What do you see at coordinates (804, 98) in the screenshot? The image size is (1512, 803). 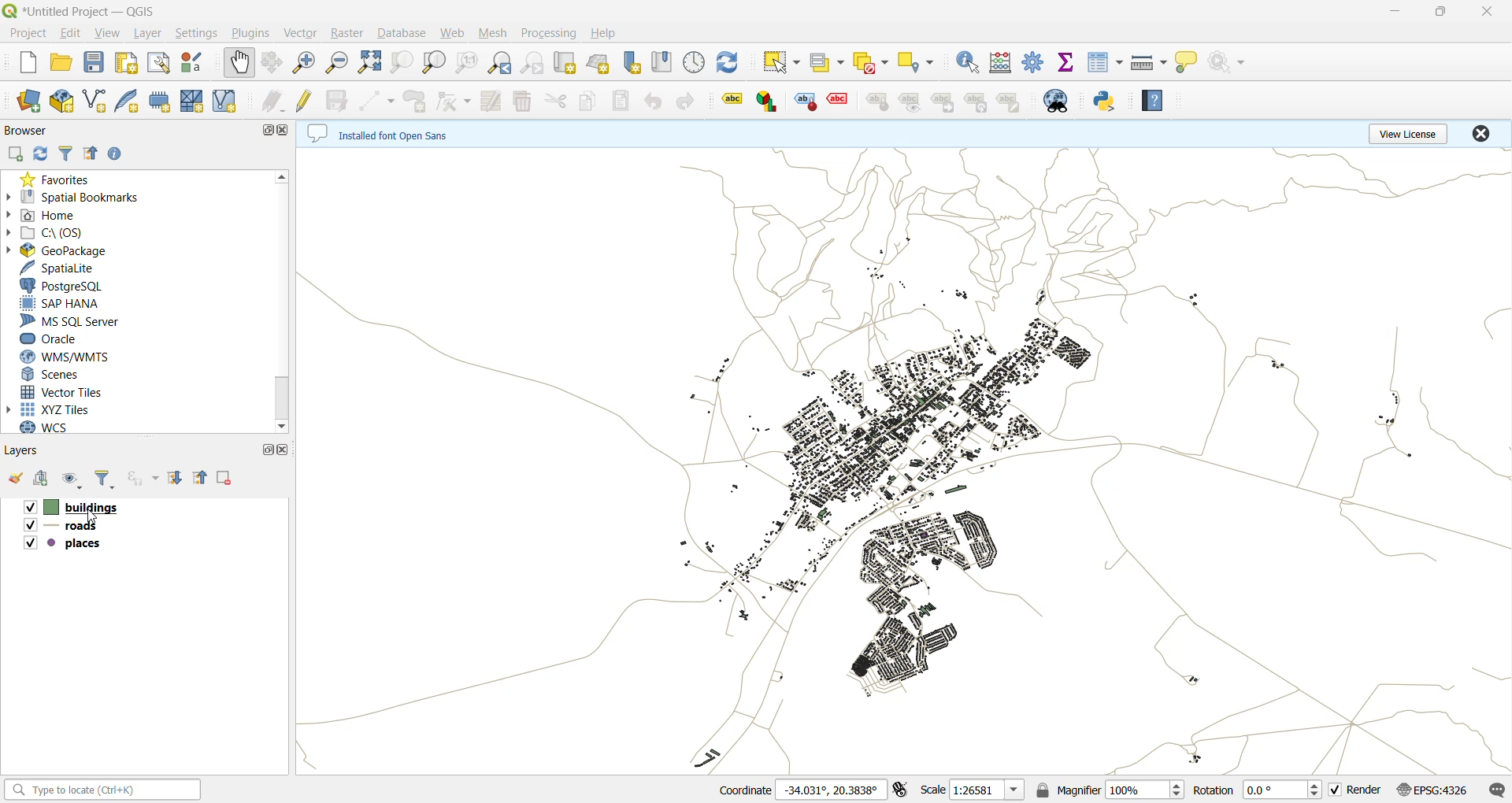 I see `highlight pinned labels and diagram` at bounding box center [804, 98].